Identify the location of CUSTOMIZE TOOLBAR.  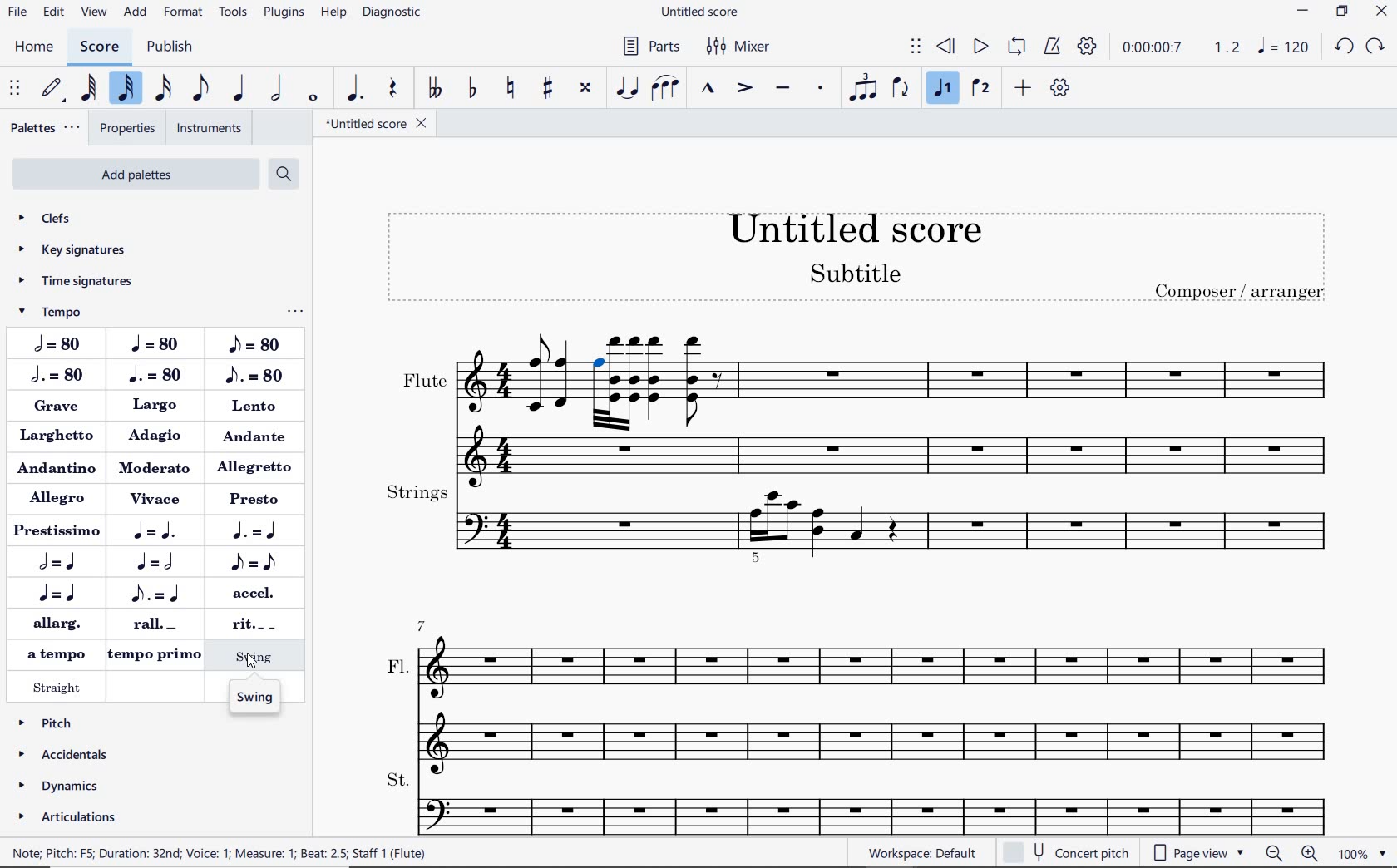
(1062, 91).